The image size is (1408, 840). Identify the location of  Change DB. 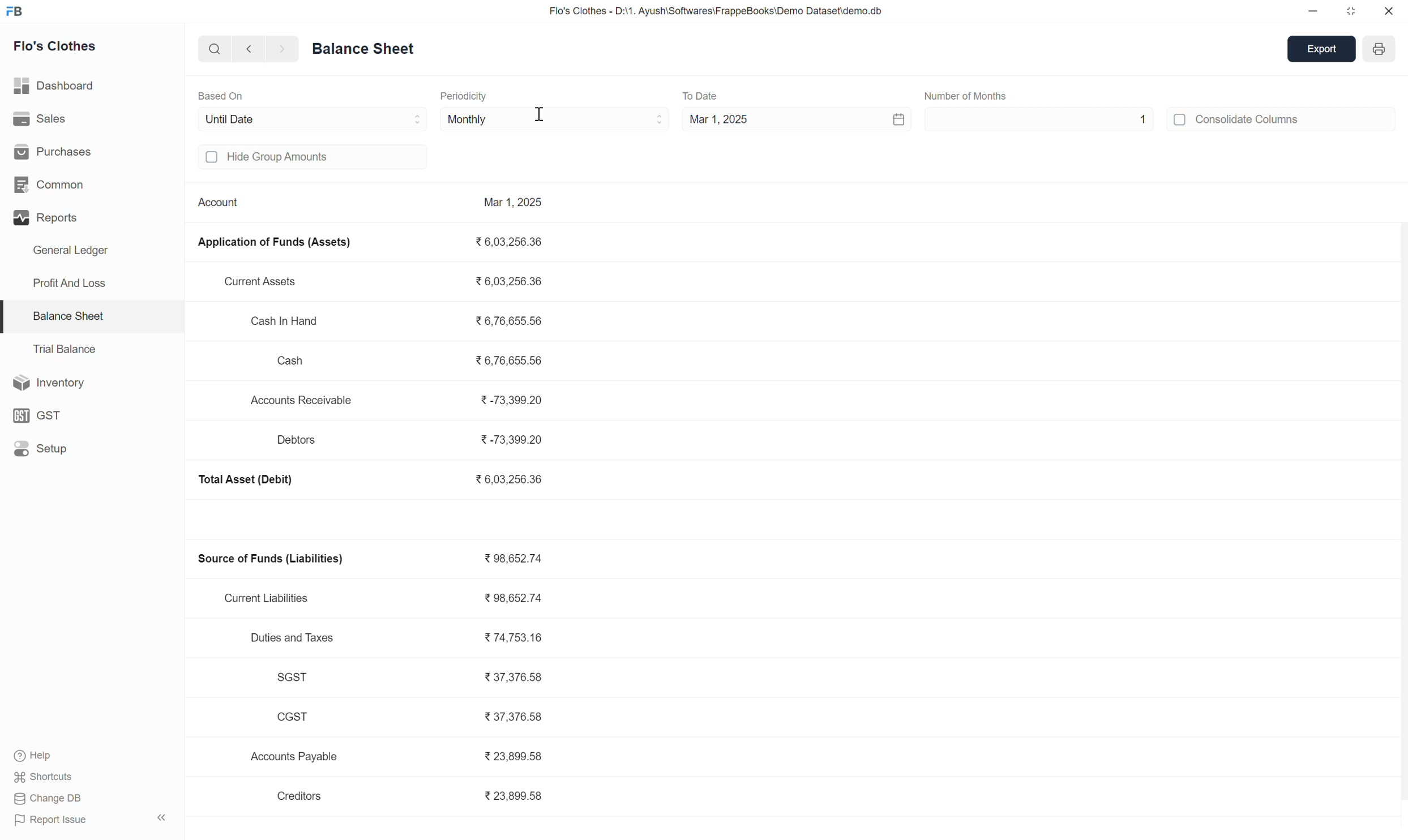
(46, 800).